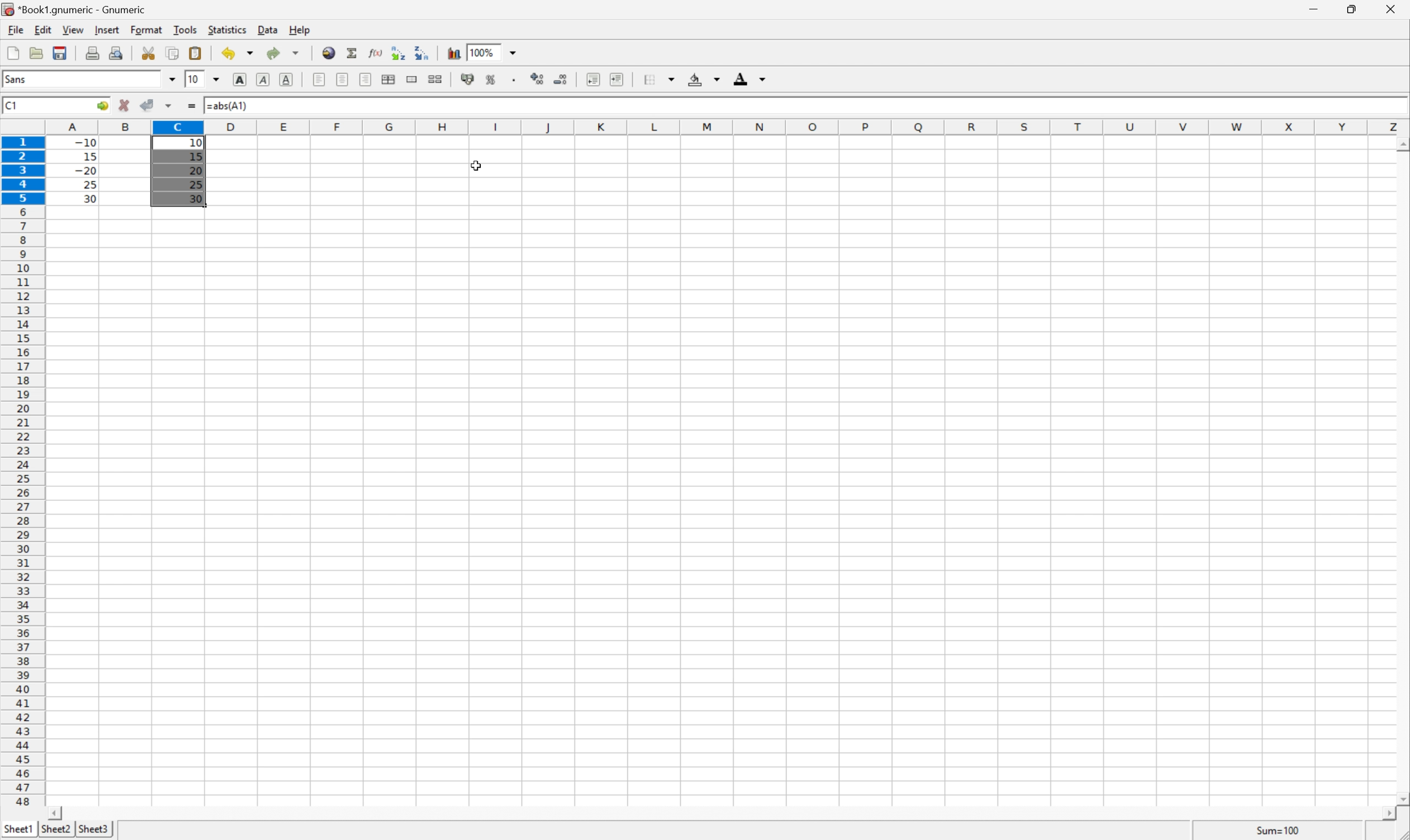 This screenshot has height=840, width=1410. I want to click on 30, so click(87, 198).